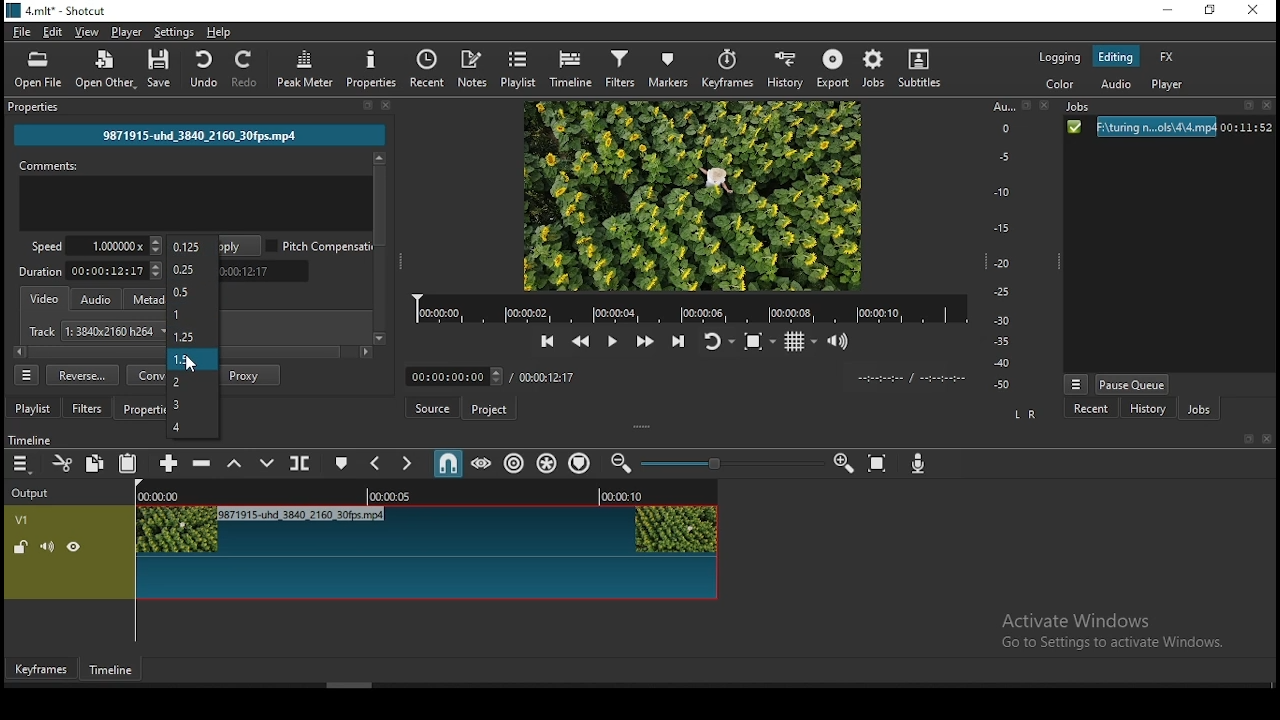  Describe the element at coordinates (342, 462) in the screenshot. I see `create/edit marker` at that location.